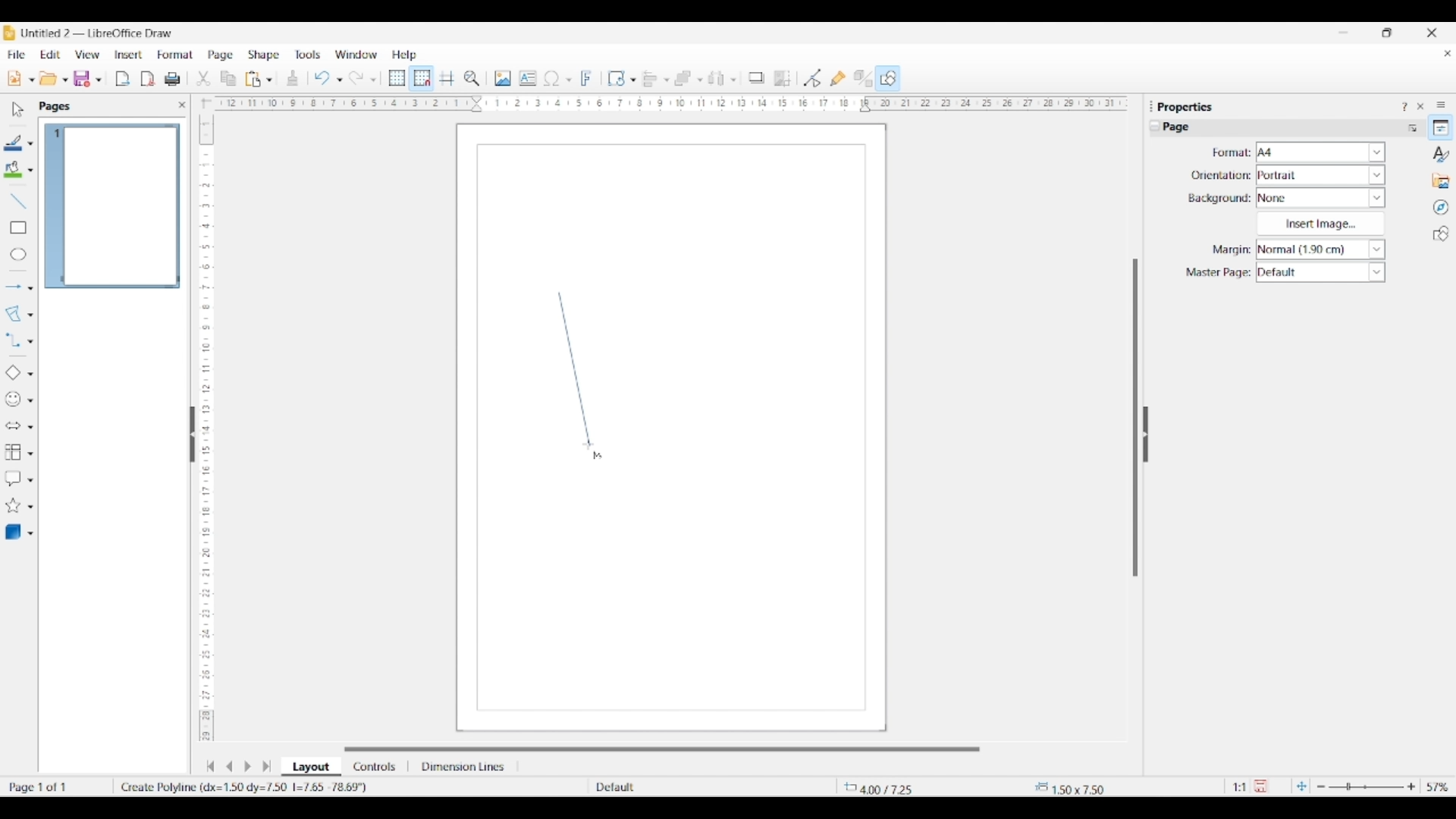 Image resolution: width=1456 pixels, height=819 pixels. Describe the element at coordinates (18, 227) in the screenshot. I see `Rectangle` at that location.